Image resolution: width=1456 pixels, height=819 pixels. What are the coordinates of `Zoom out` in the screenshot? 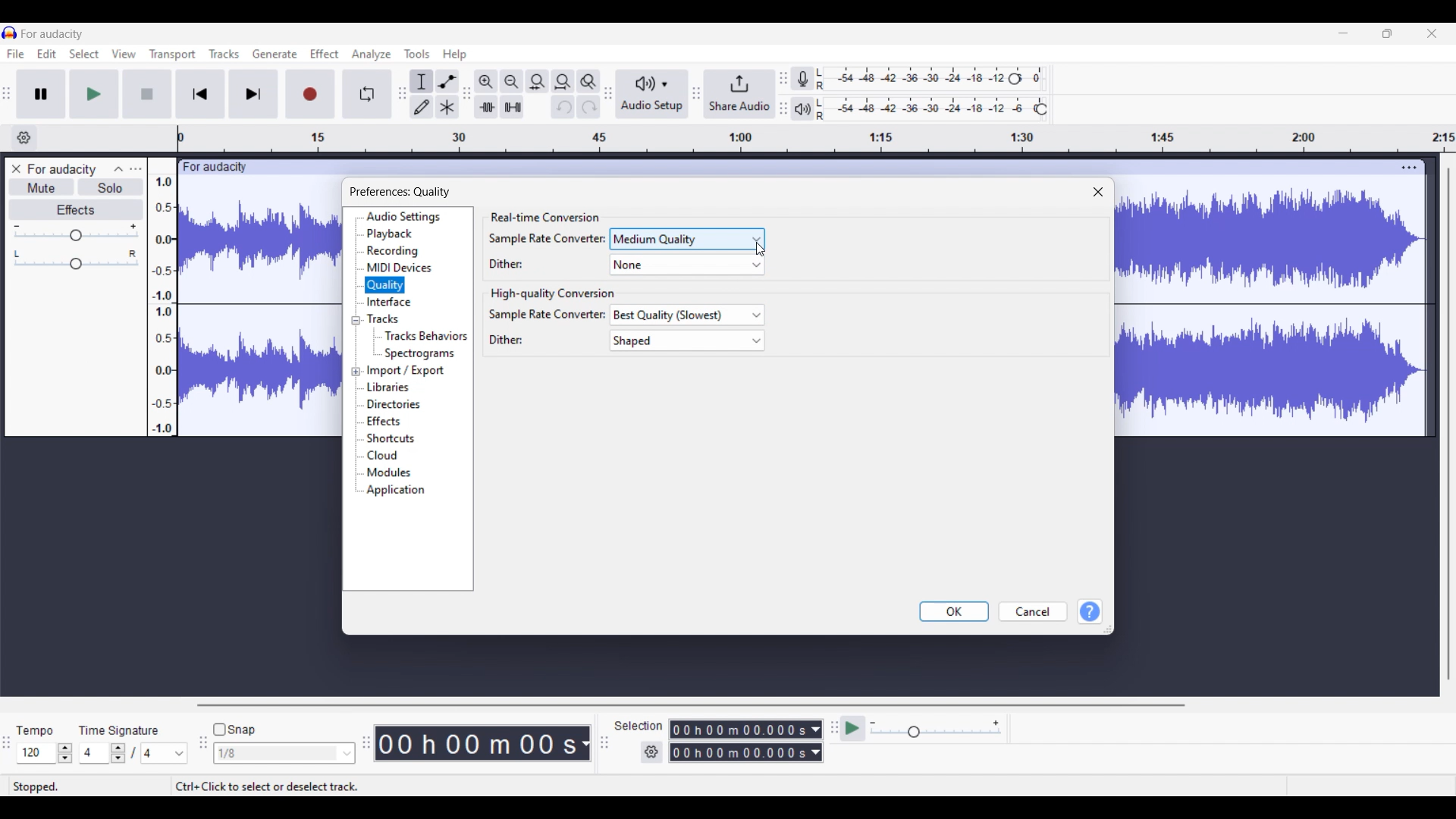 It's located at (512, 82).